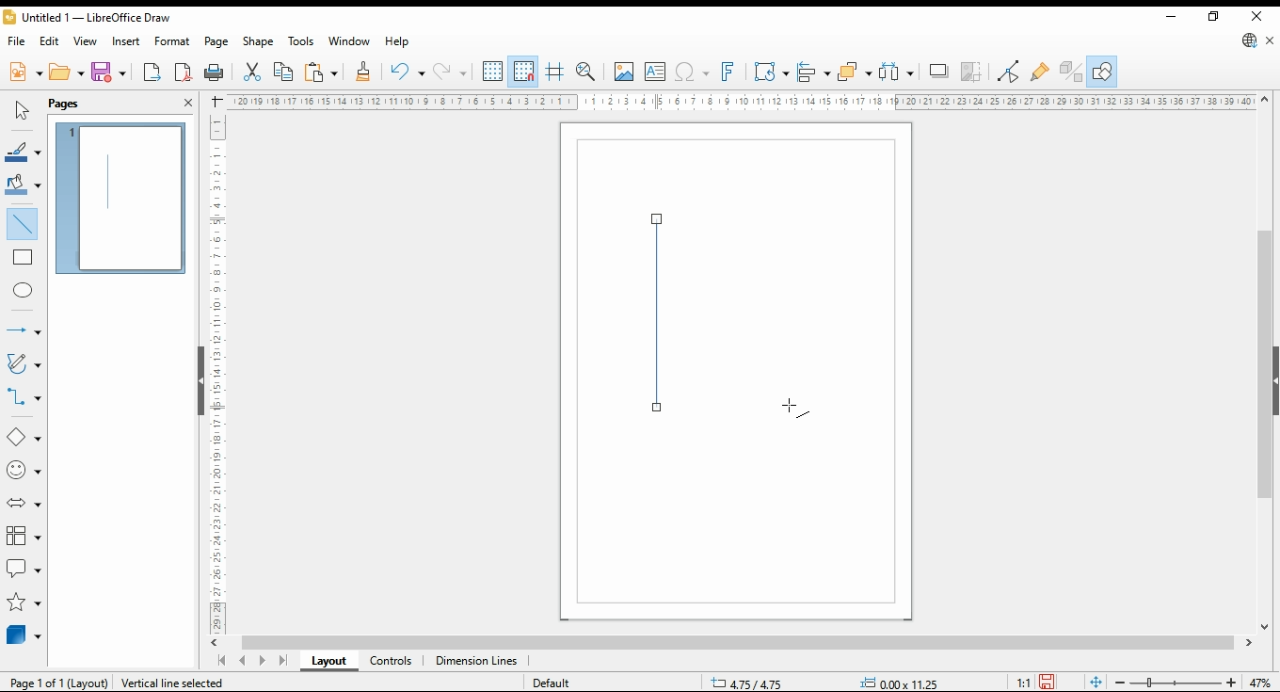  I want to click on insert special character, so click(690, 72).